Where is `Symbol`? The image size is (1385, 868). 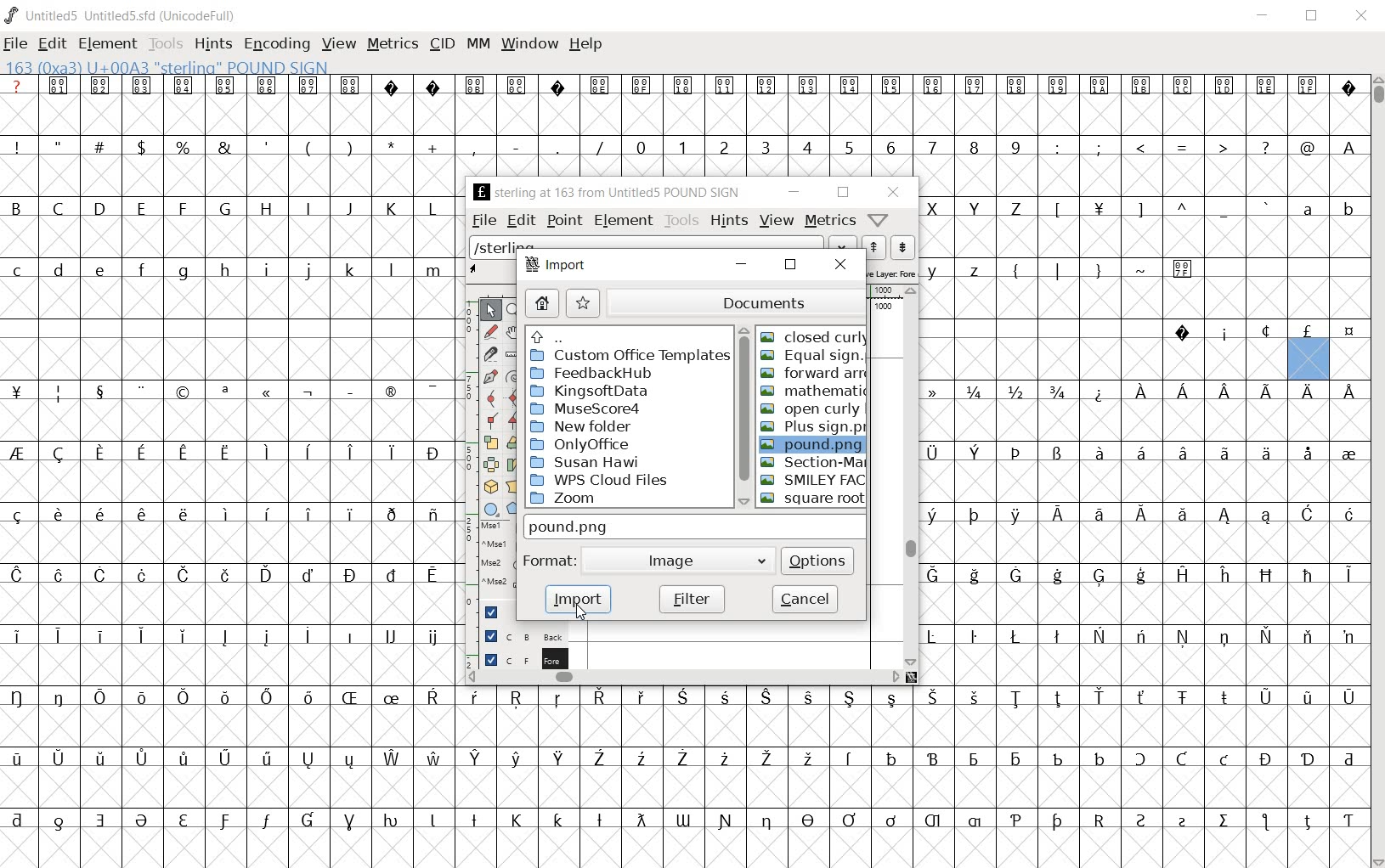
Symbol is located at coordinates (1225, 760).